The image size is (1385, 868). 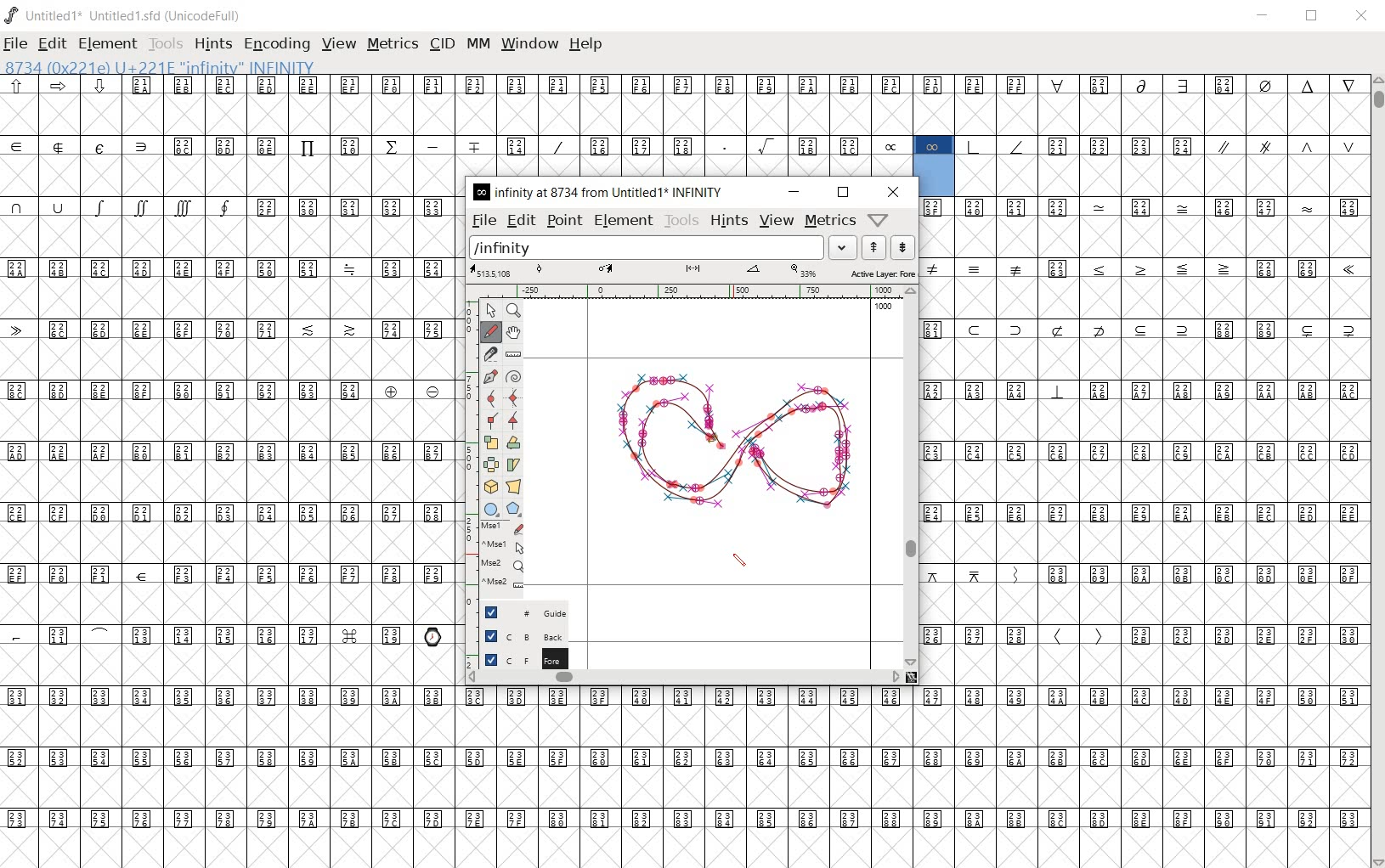 What do you see at coordinates (436, 634) in the screenshot?
I see `emojis` at bounding box center [436, 634].